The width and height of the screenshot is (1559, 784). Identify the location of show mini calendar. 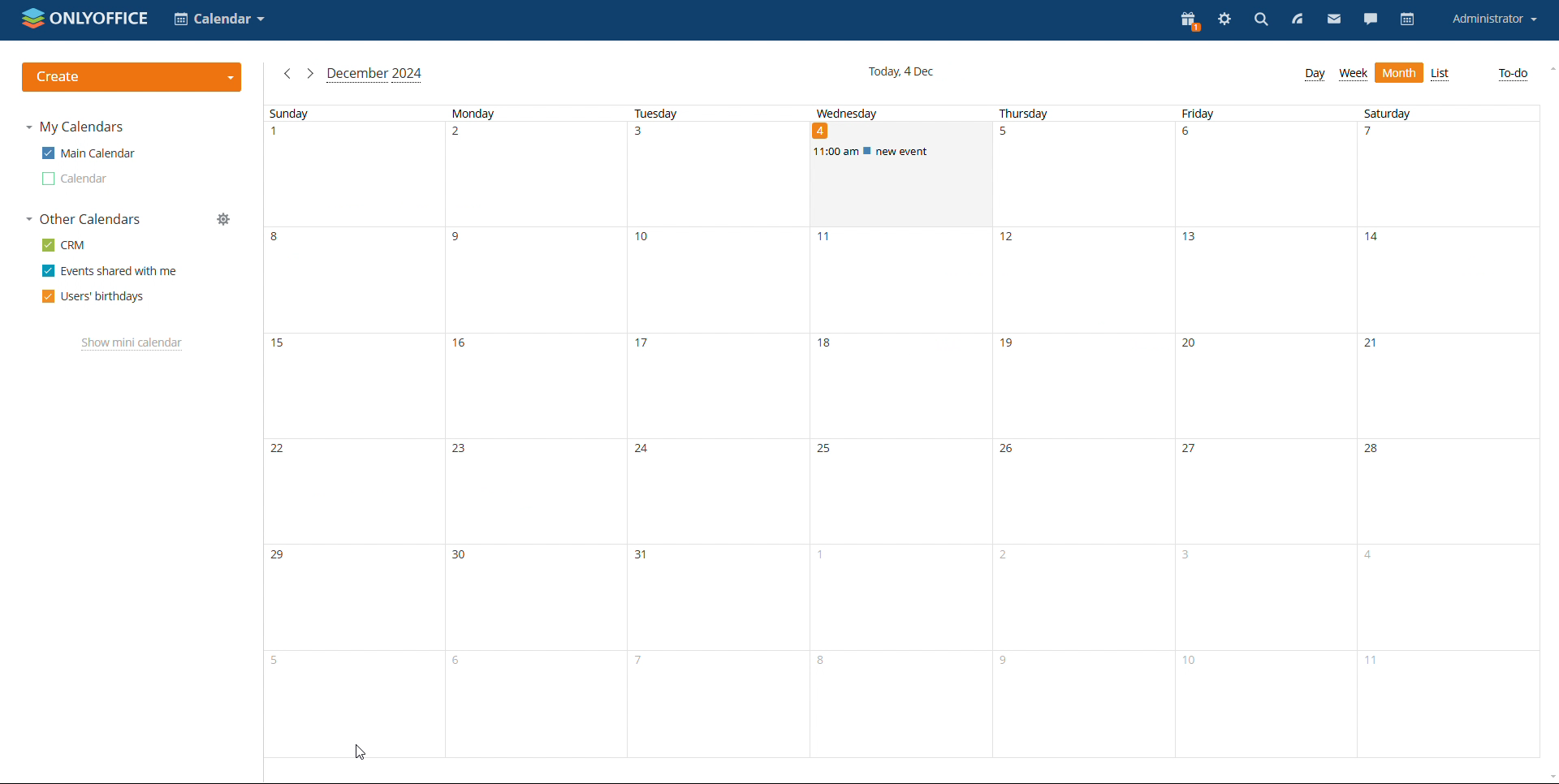
(132, 344).